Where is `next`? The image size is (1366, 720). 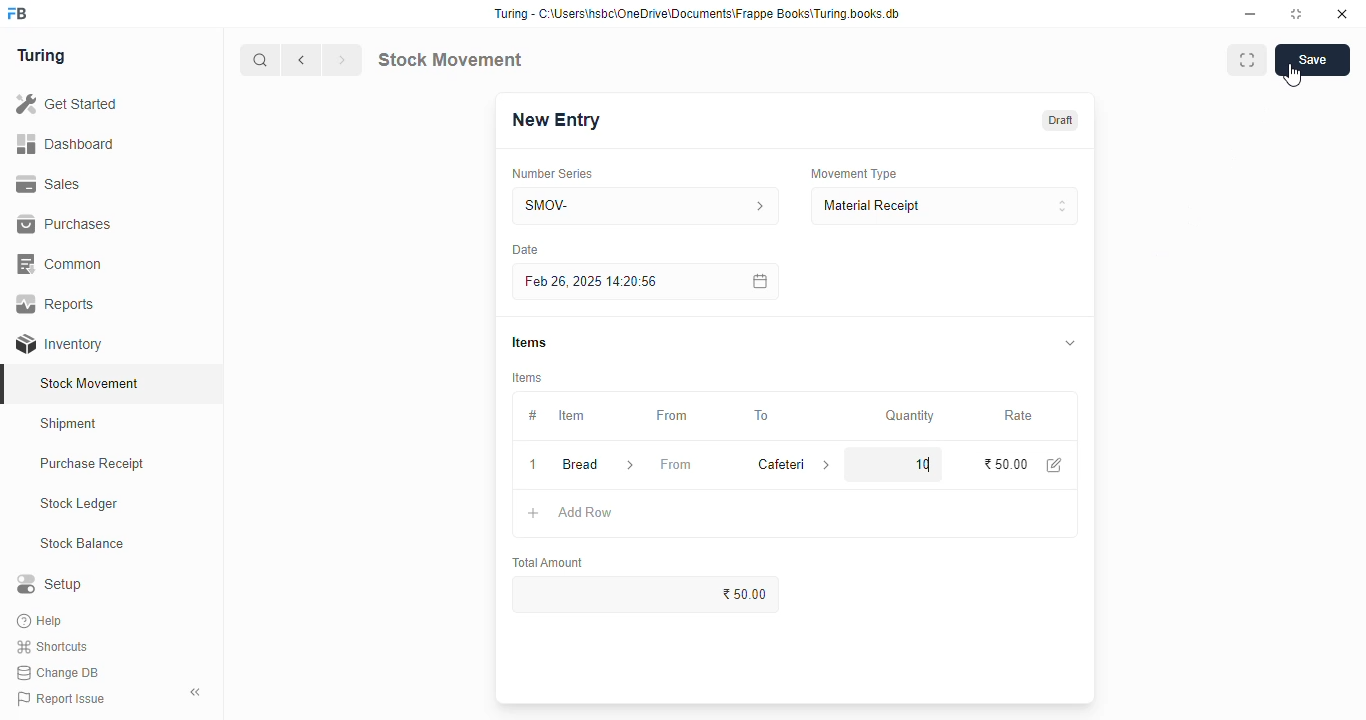
next is located at coordinates (342, 60).